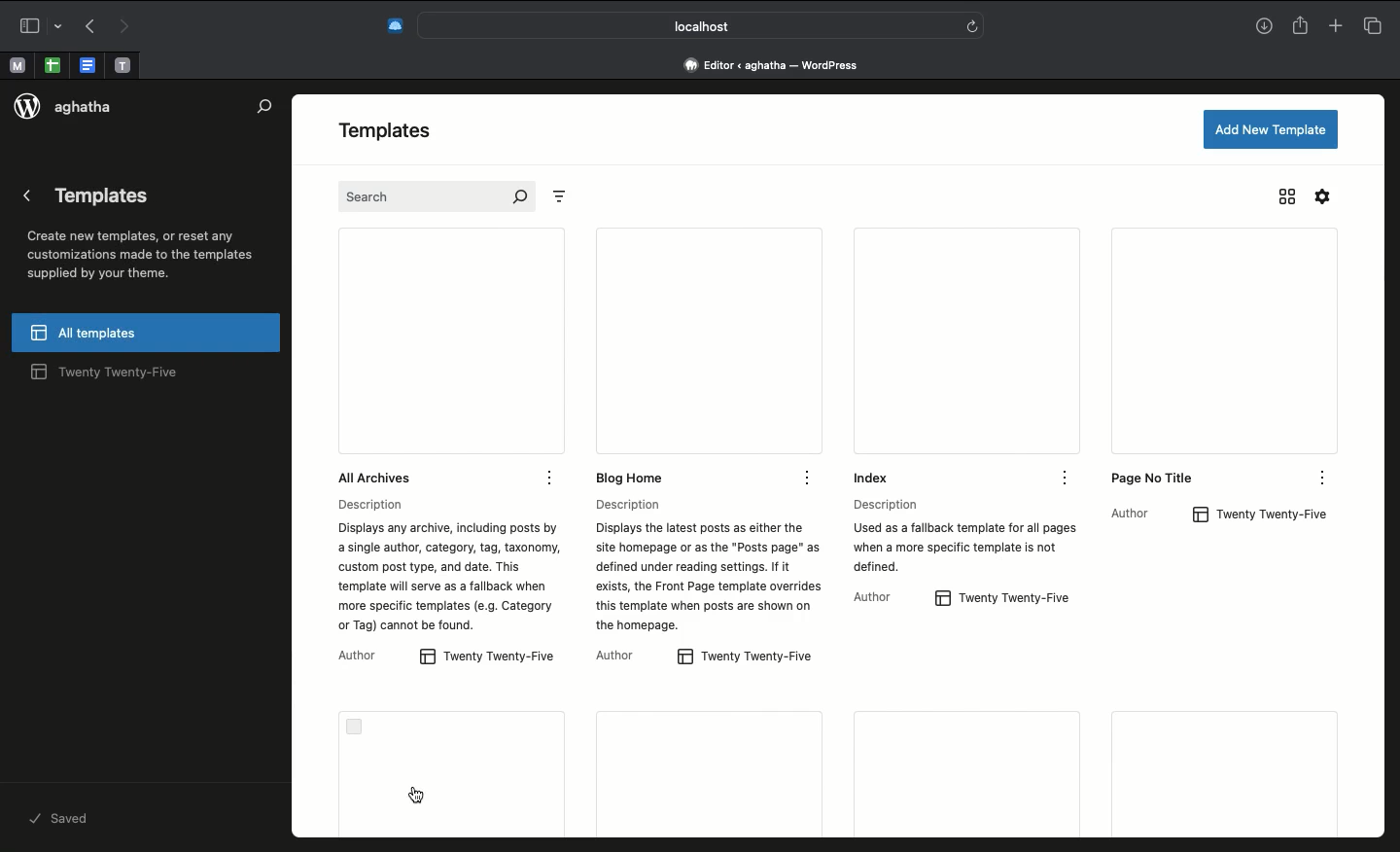 The height and width of the screenshot is (852, 1400). I want to click on Page no title, so click(1219, 360).